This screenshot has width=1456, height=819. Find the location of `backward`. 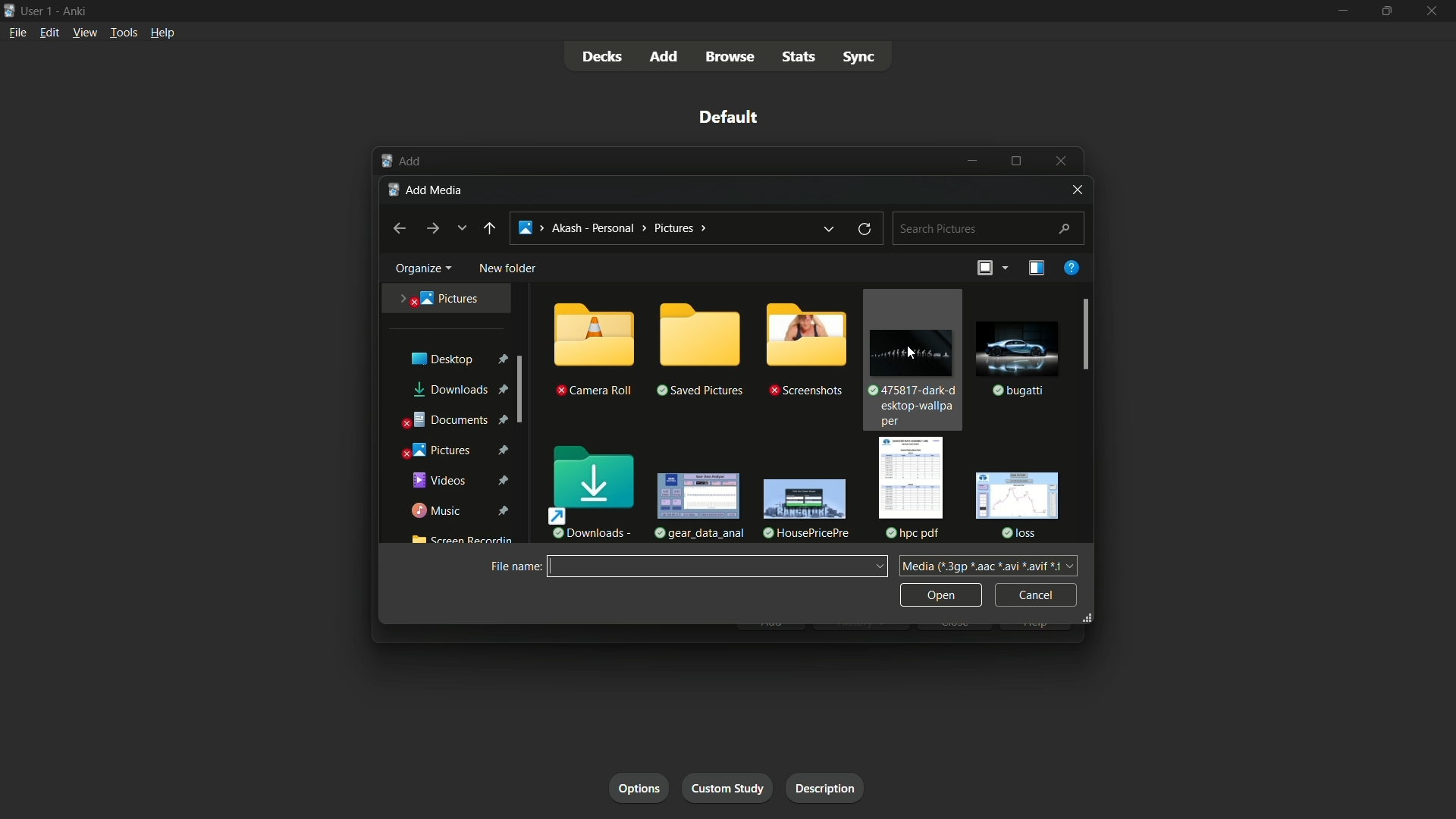

backward is located at coordinates (397, 229).